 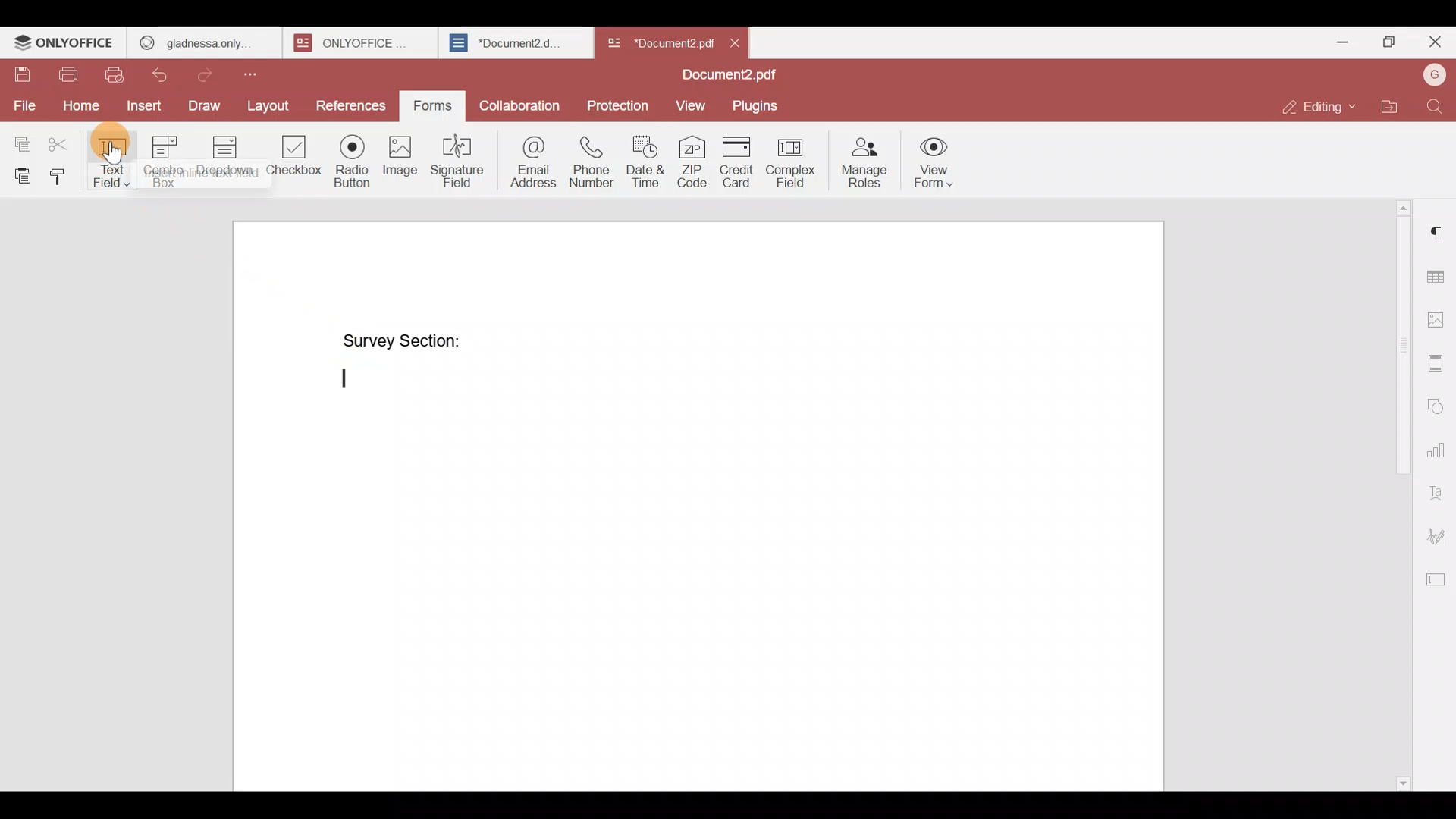 What do you see at coordinates (657, 42) in the screenshot?
I see `*Document2 pd` at bounding box center [657, 42].